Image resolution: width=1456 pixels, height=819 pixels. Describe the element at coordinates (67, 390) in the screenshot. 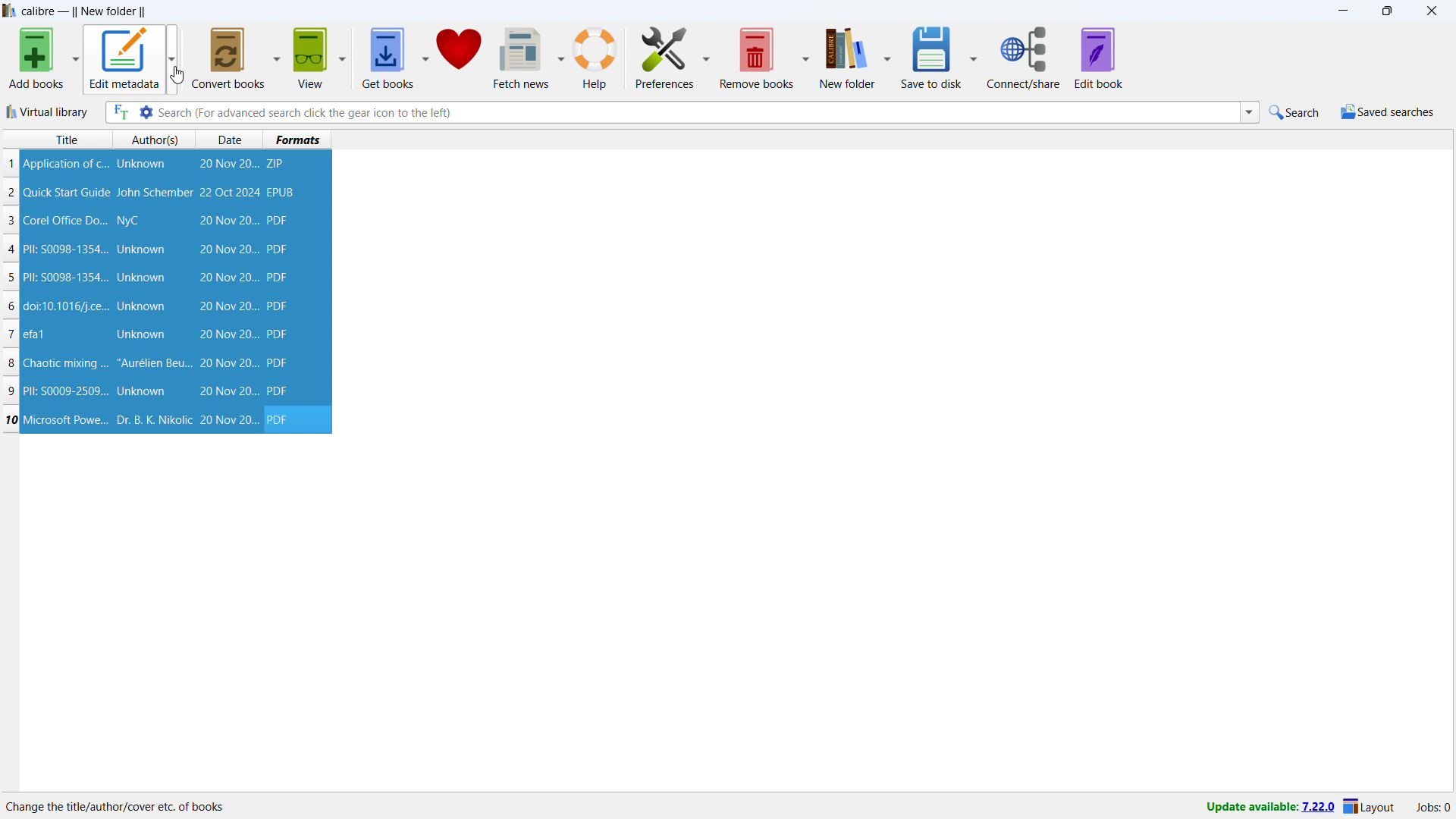

I see `PII: S0009-2509...` at that location.